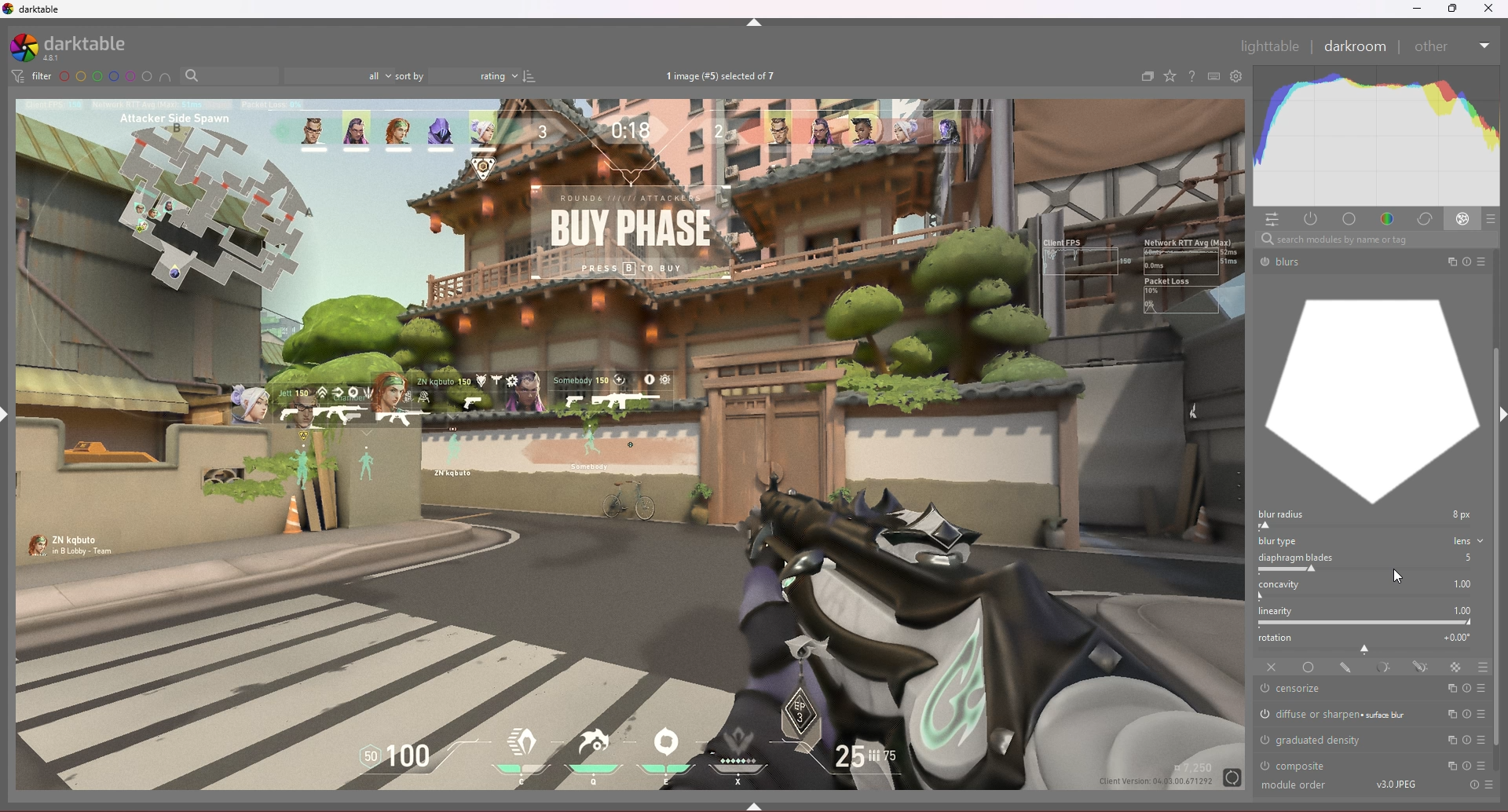  Describe the element at coordinates (474, 75) in the screenshot. I see `rating` at that location.